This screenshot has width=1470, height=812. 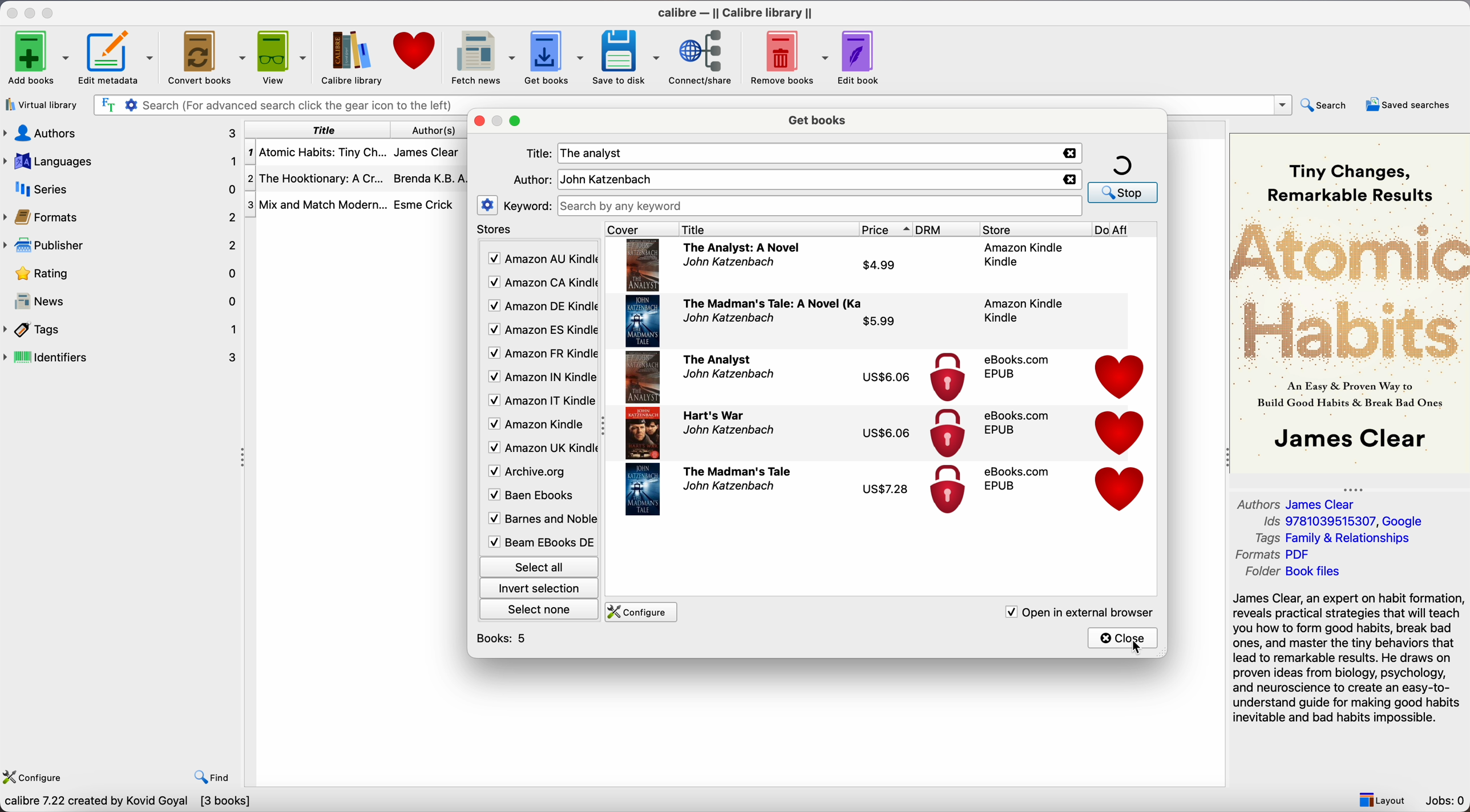 What do you see at coordinates (1016, 366) in the screenshot?
I see `eBooks.com EPUB` at bounding box center [1016, 366].